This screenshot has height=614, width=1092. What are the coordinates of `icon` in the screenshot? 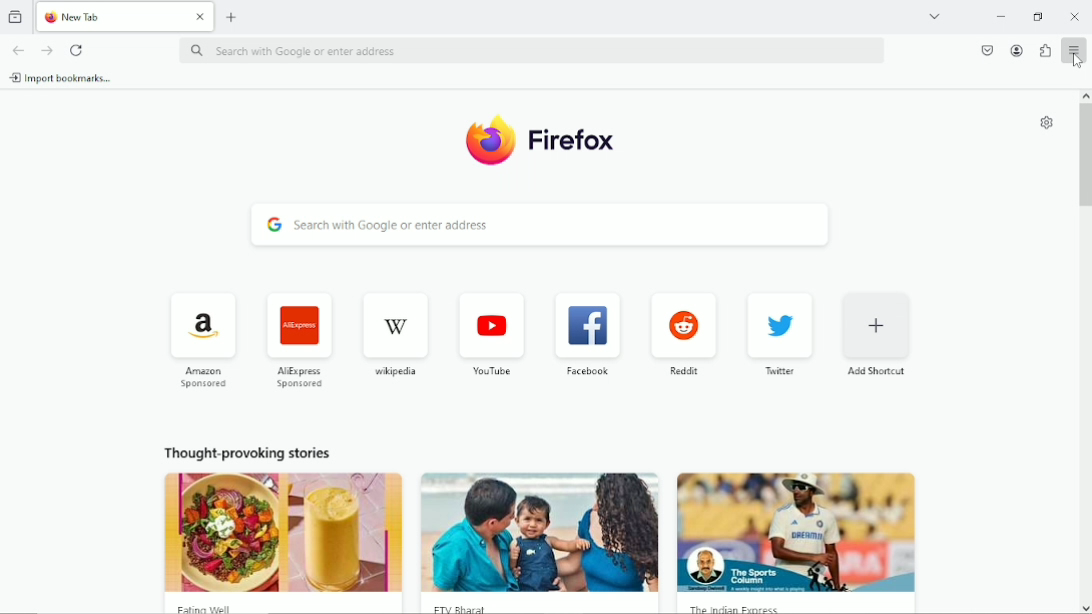 It's located at (873, 328).